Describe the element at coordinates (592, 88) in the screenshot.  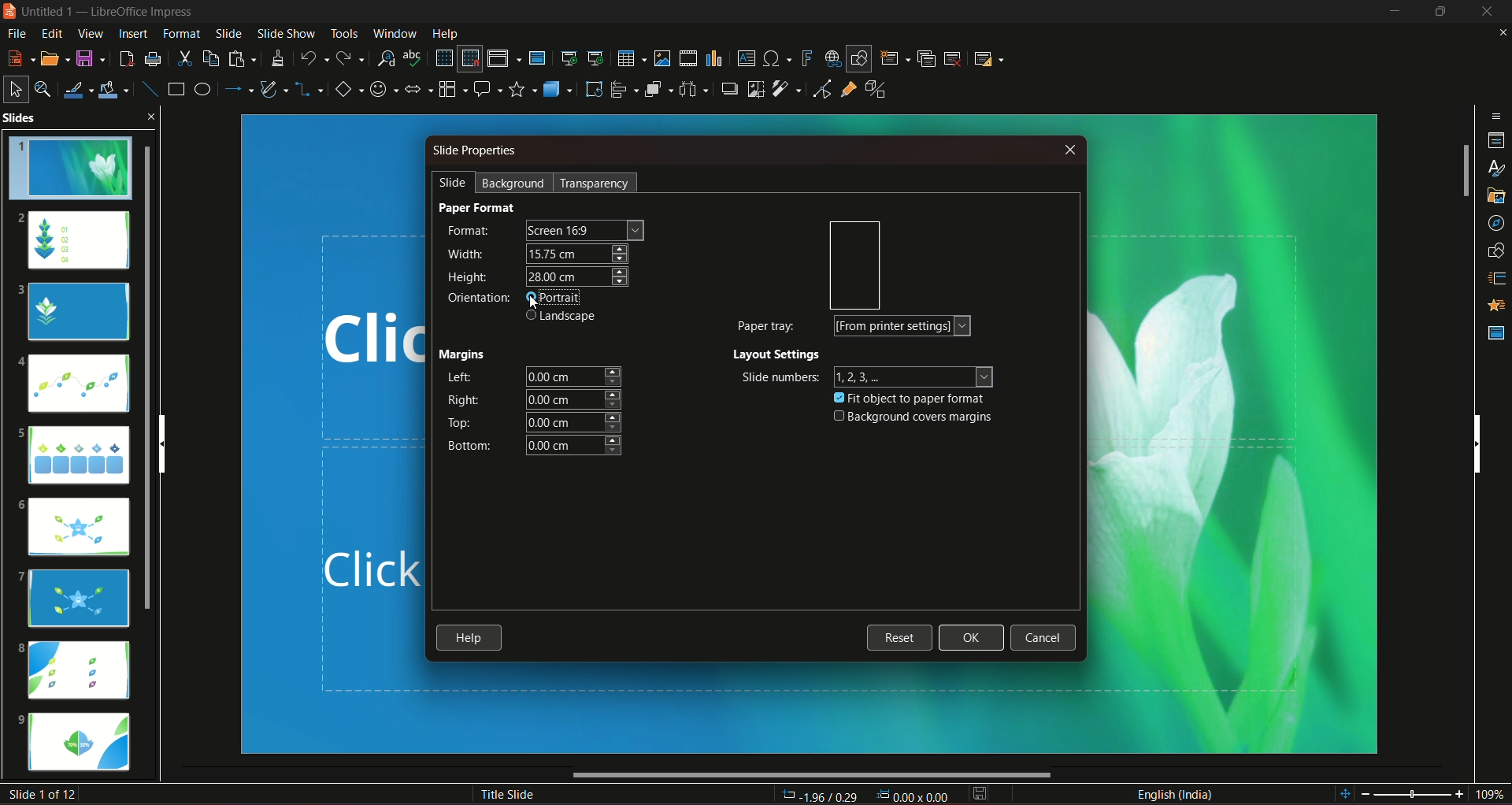
I see `rotate` at that location.